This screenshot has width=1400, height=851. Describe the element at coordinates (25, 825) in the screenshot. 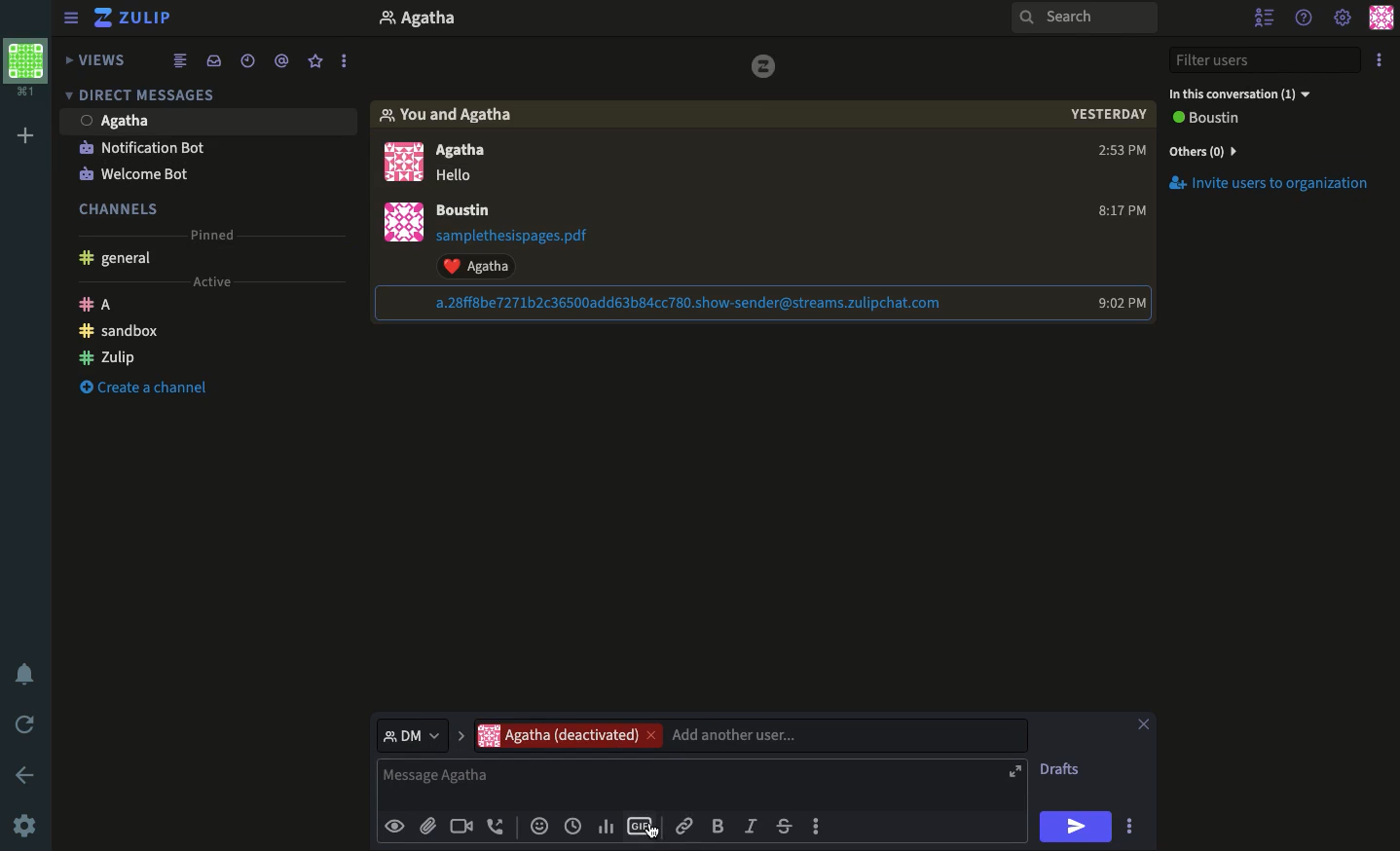

I see `Settings` at that location.